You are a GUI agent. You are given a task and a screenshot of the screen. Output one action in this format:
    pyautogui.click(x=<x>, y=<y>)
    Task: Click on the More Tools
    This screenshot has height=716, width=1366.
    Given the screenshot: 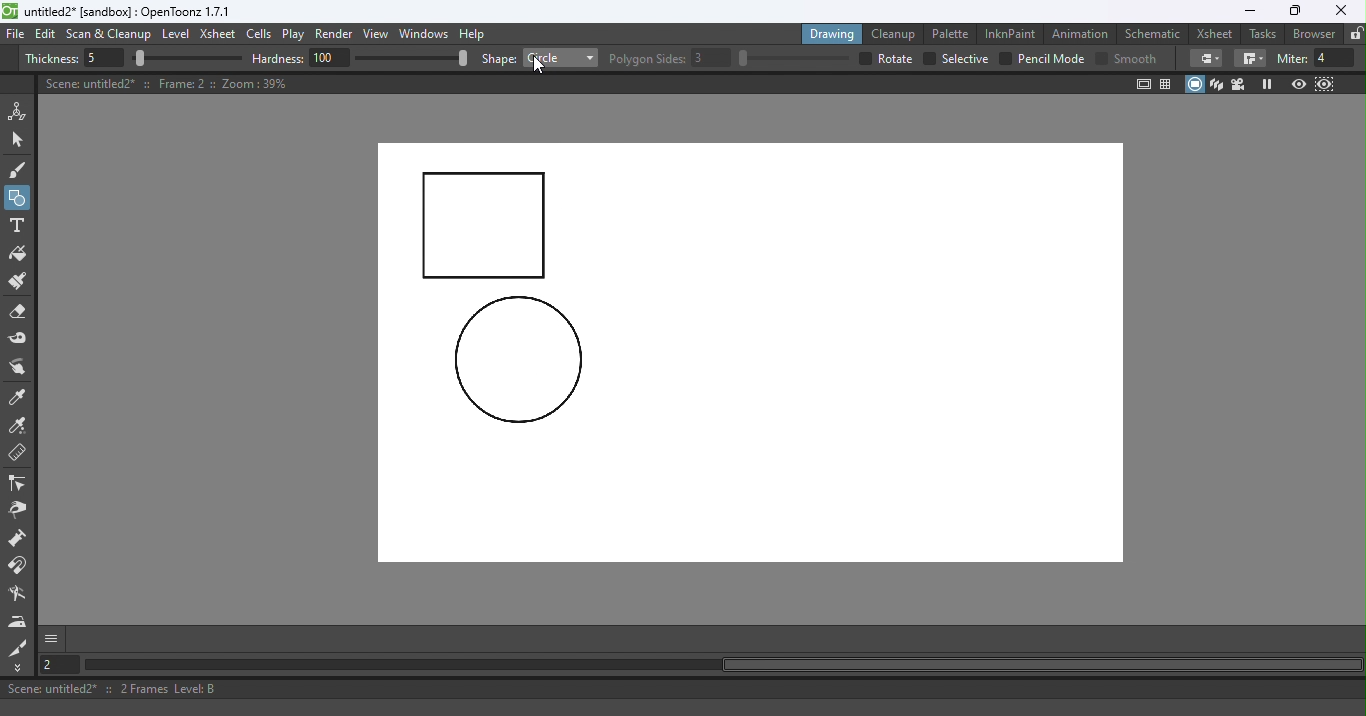 What is the action you would take?
    pyautogui.click(x=19, y=668)
    